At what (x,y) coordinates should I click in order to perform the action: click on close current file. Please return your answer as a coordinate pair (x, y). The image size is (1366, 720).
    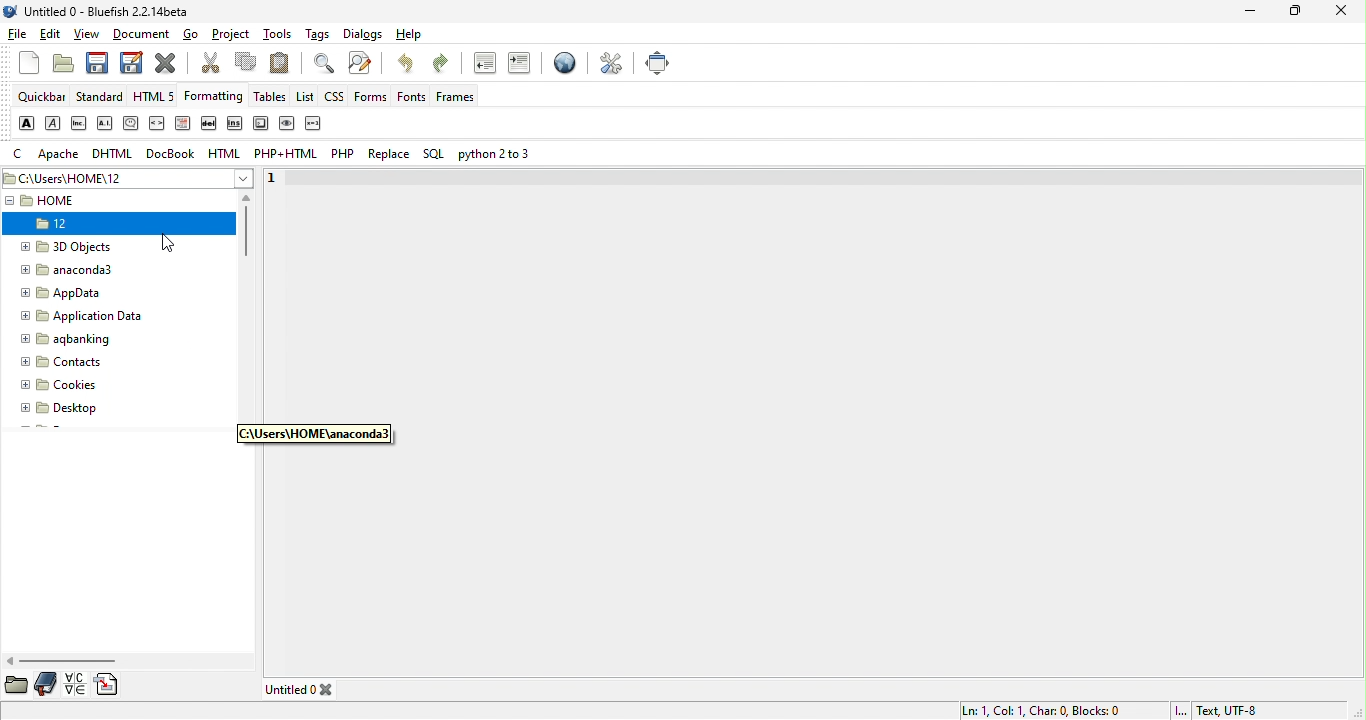
    Looking at the image, I should click on (170, 65).